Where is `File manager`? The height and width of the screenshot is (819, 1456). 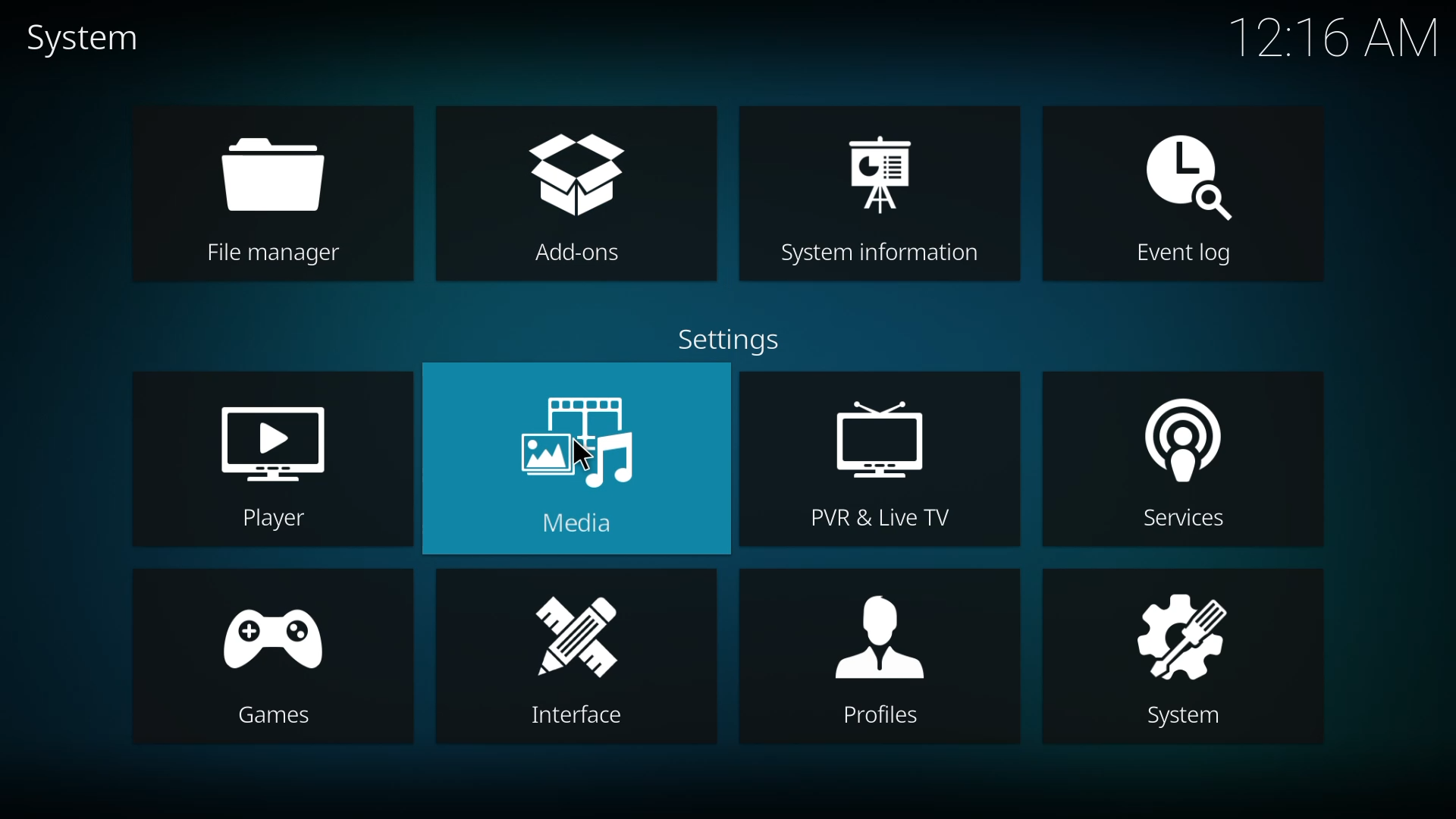 File manager is located at coordinates (279, 257).